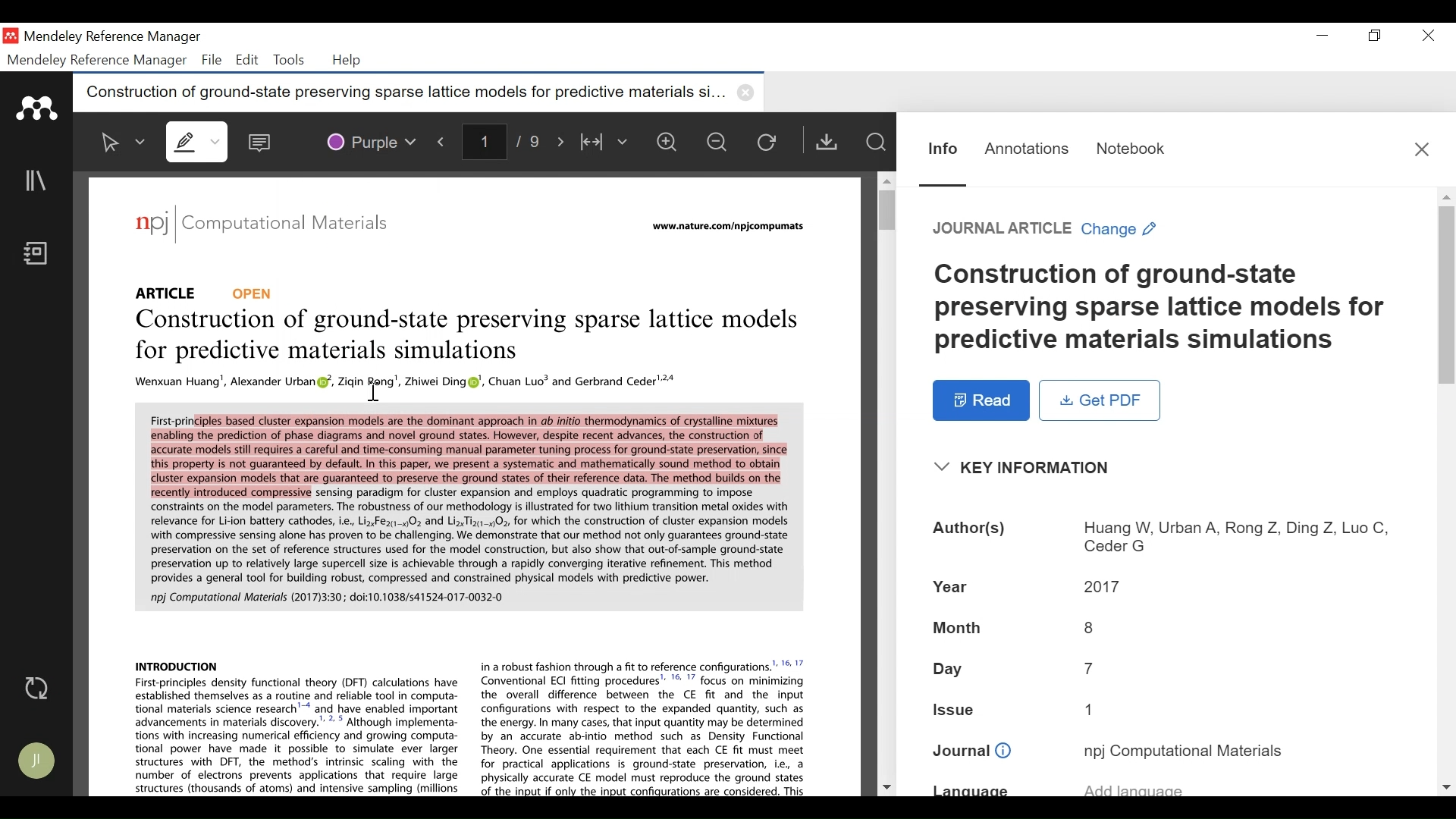 The width and height of the screenshot is (1456, 819). I want to click on Construction of ground-state preserving sparse  lattice models for predictive materials si..., so click(419, 90).